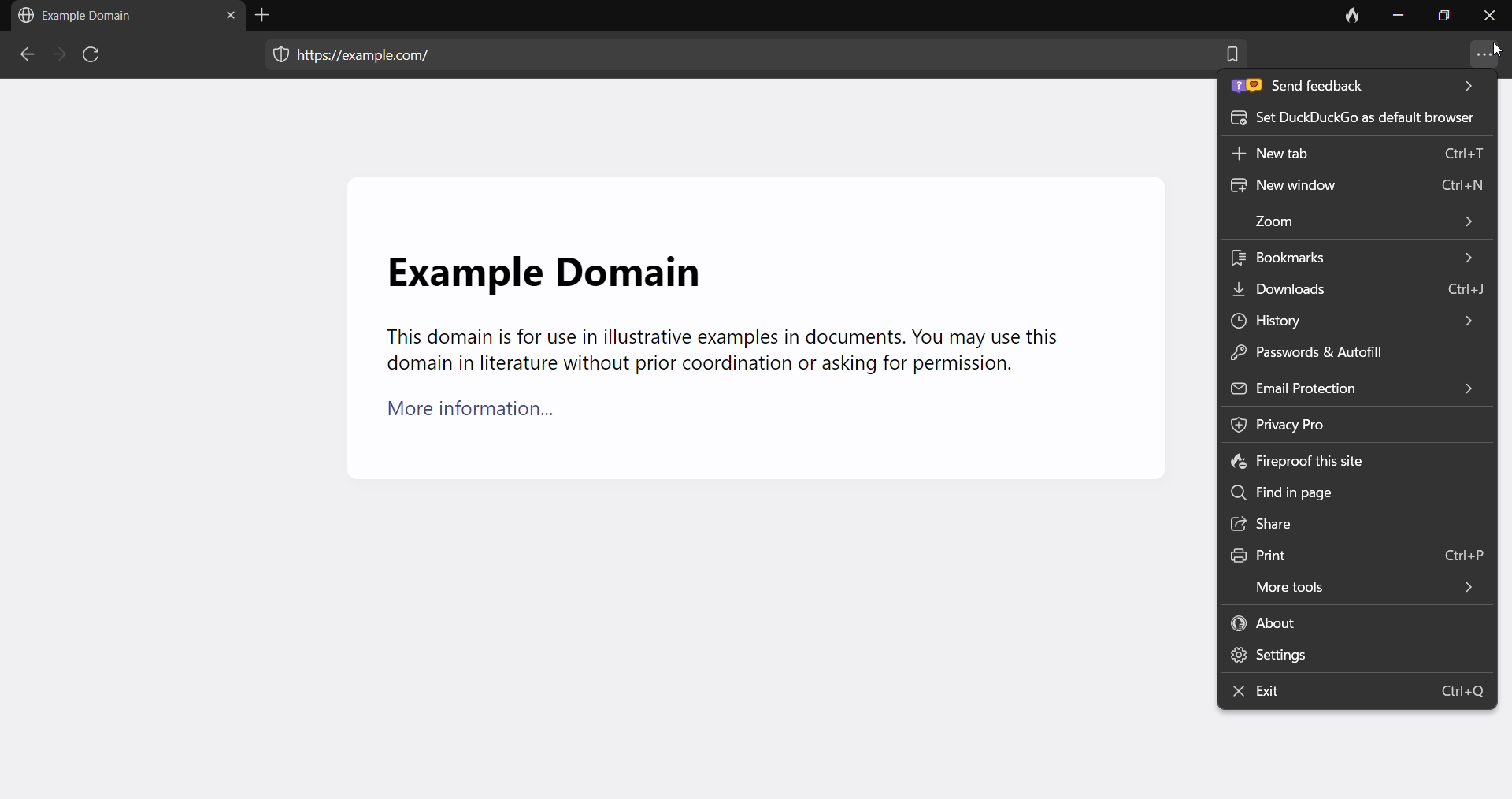  I want to click on share, so click(1355, 523).